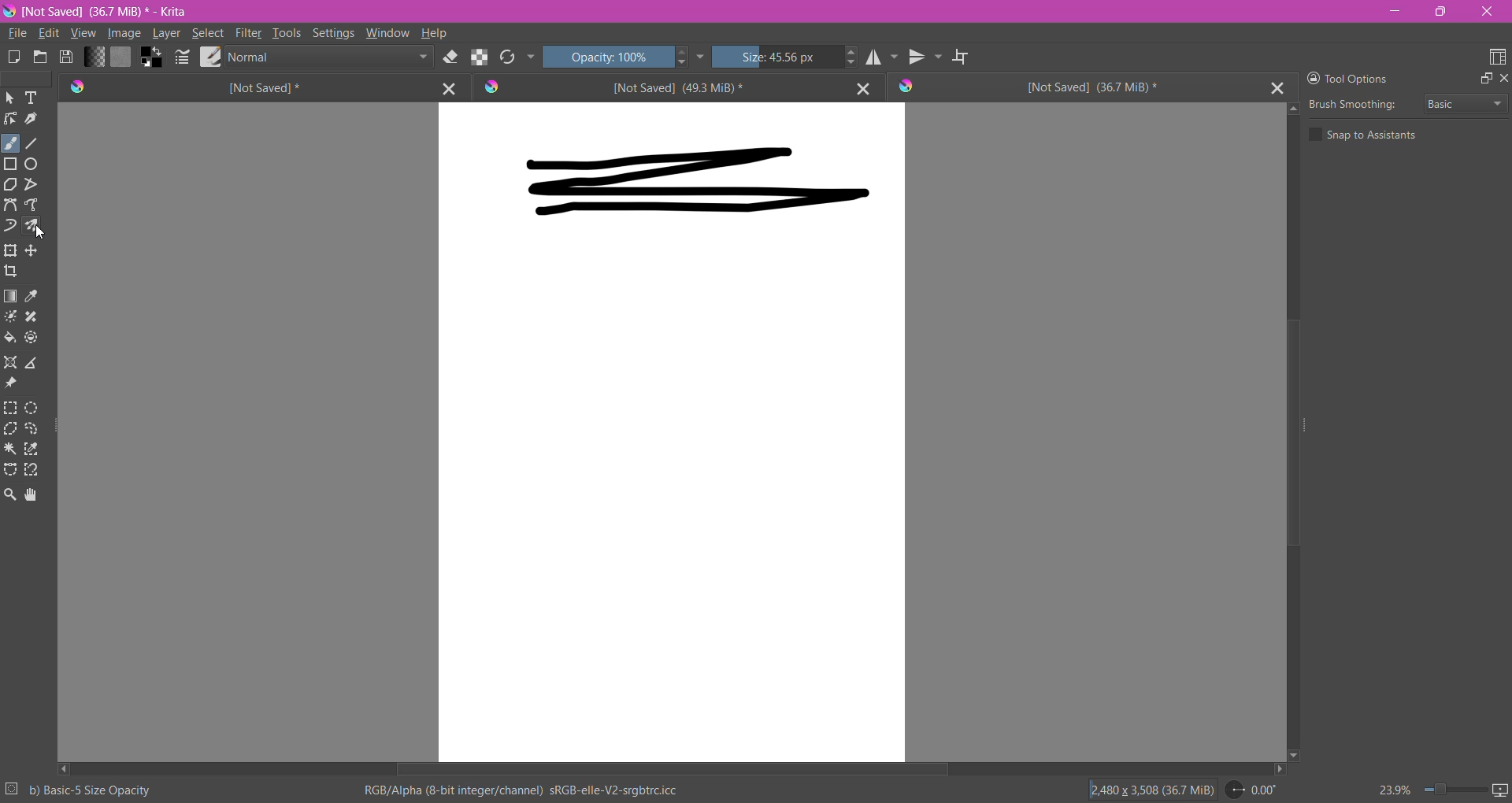 This screenshot has height=803, width=1512. I want to click on Fill Gradient, so click(94, 56).